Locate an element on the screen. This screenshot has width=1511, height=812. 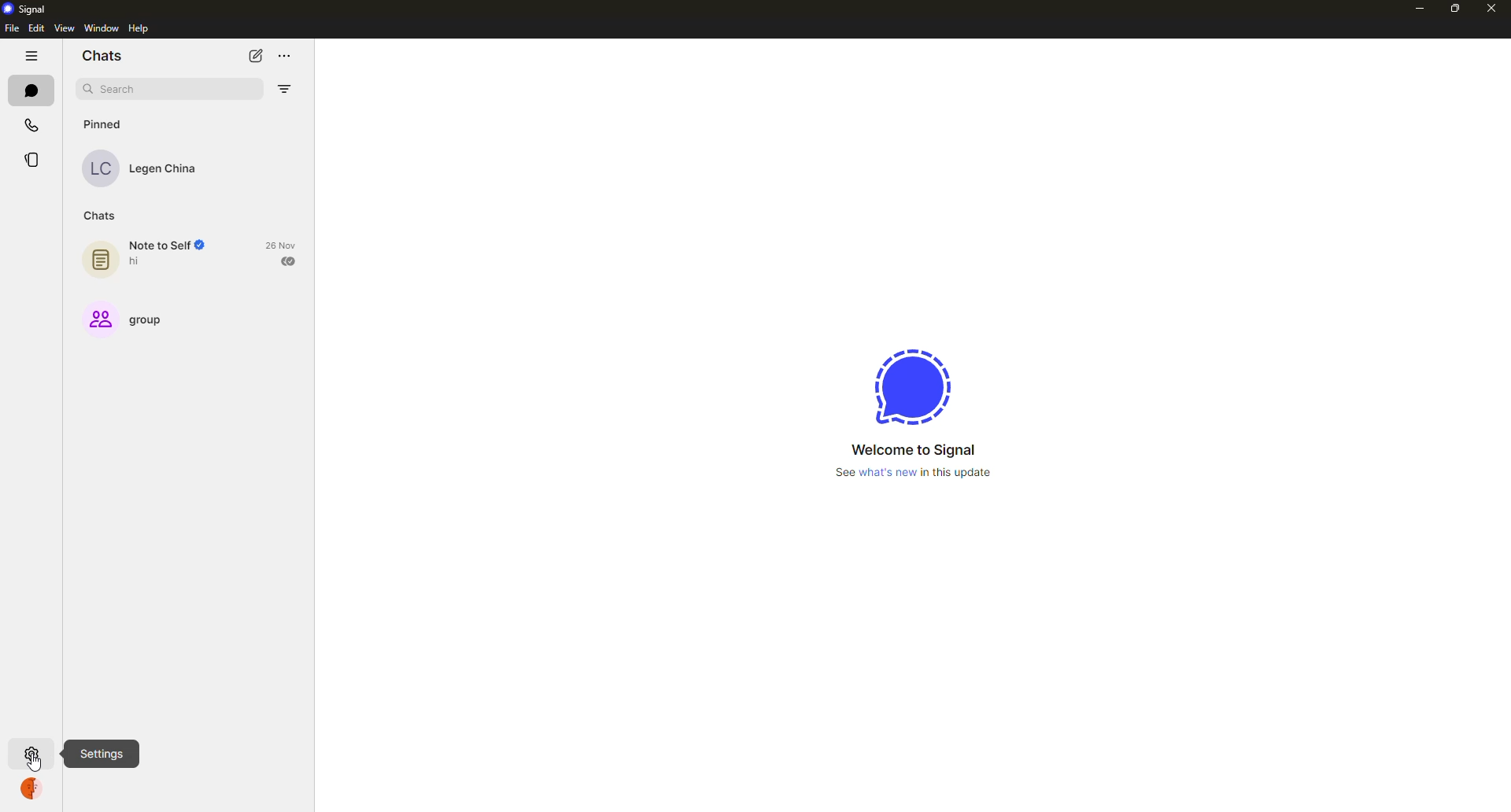
chats is located at coordinates (102, 214).